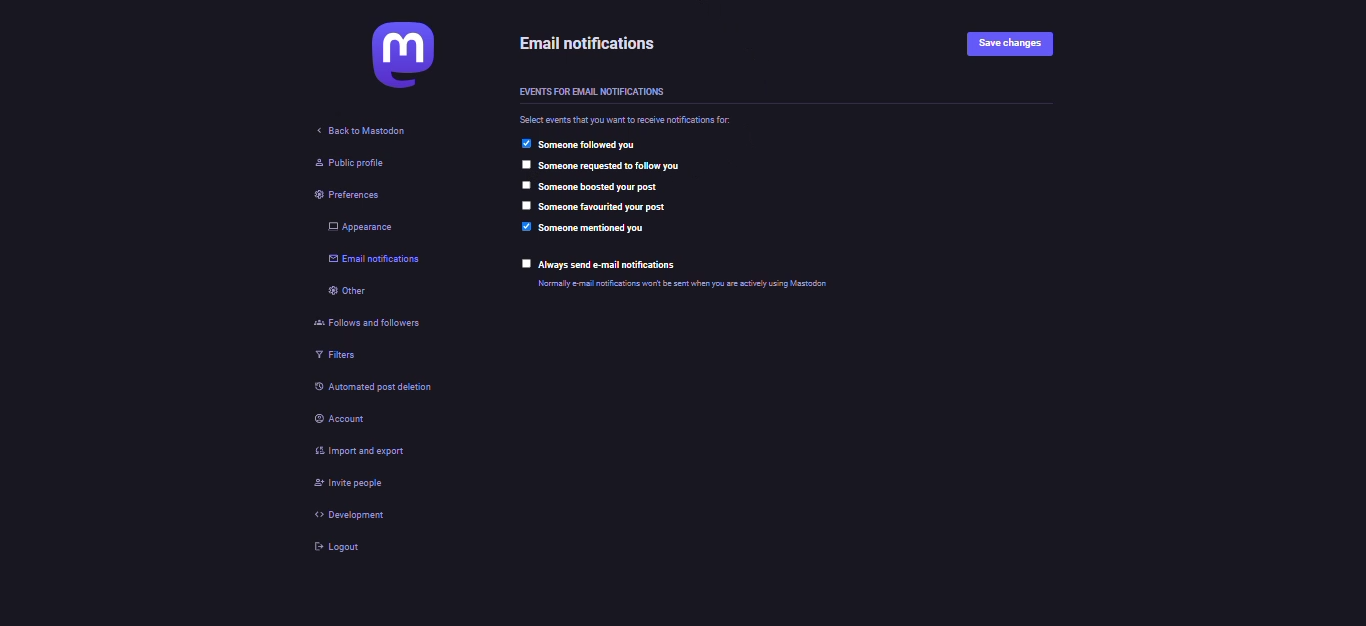  I want to click on back to mastodon, so click(365, 131).